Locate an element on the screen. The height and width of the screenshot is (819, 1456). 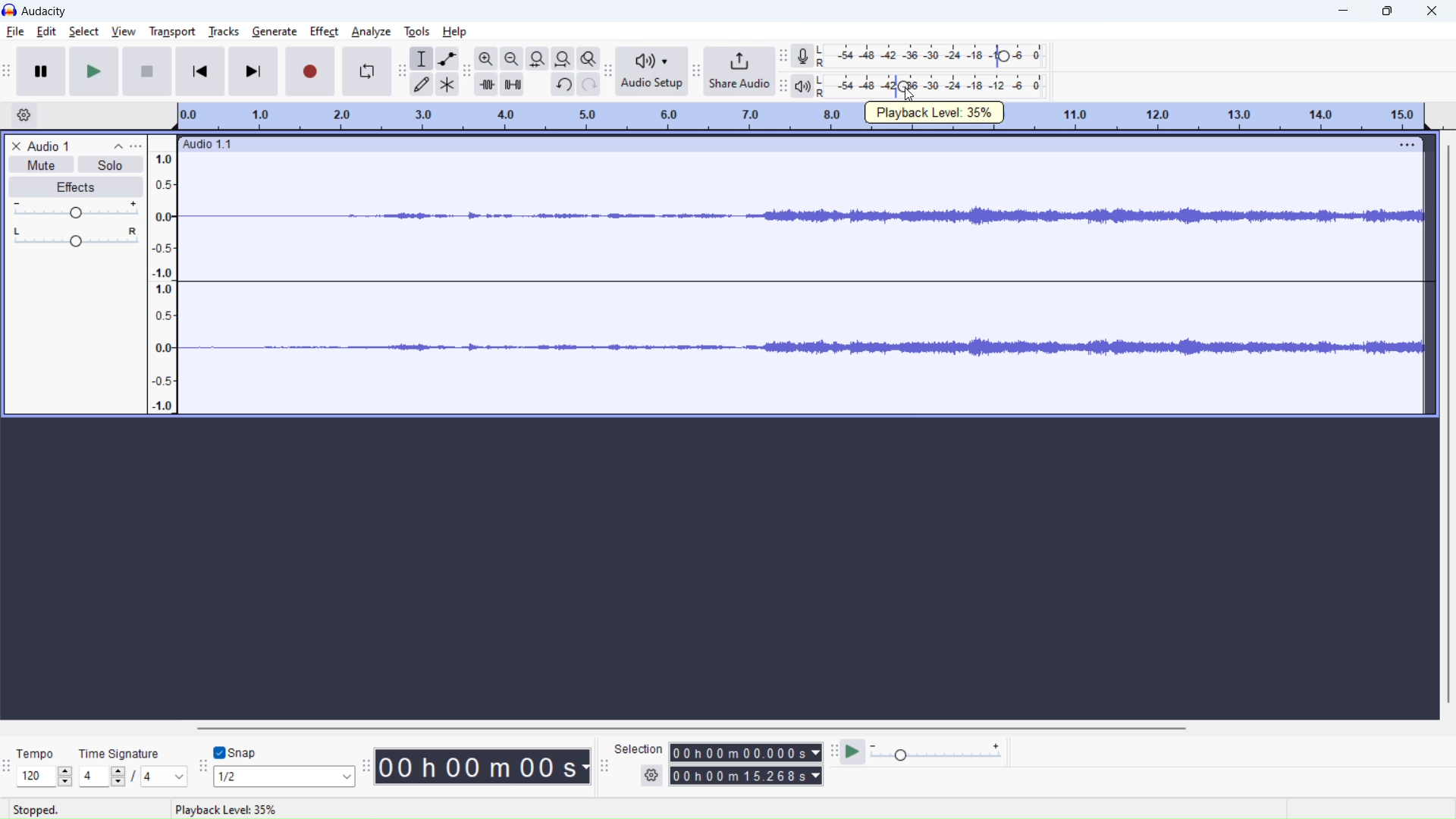
maximize is located at coordinates (1387, 11).